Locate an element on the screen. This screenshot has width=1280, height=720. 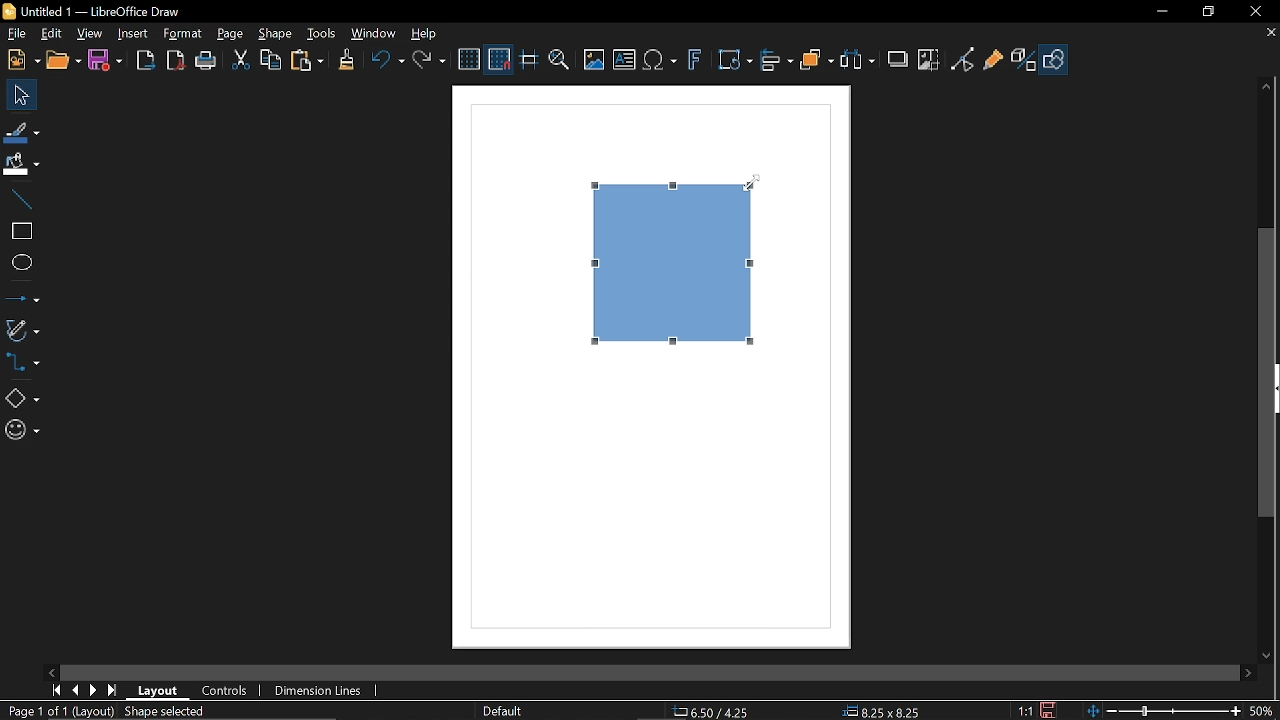
Helplines while moving is located at coordinates (528, 61).